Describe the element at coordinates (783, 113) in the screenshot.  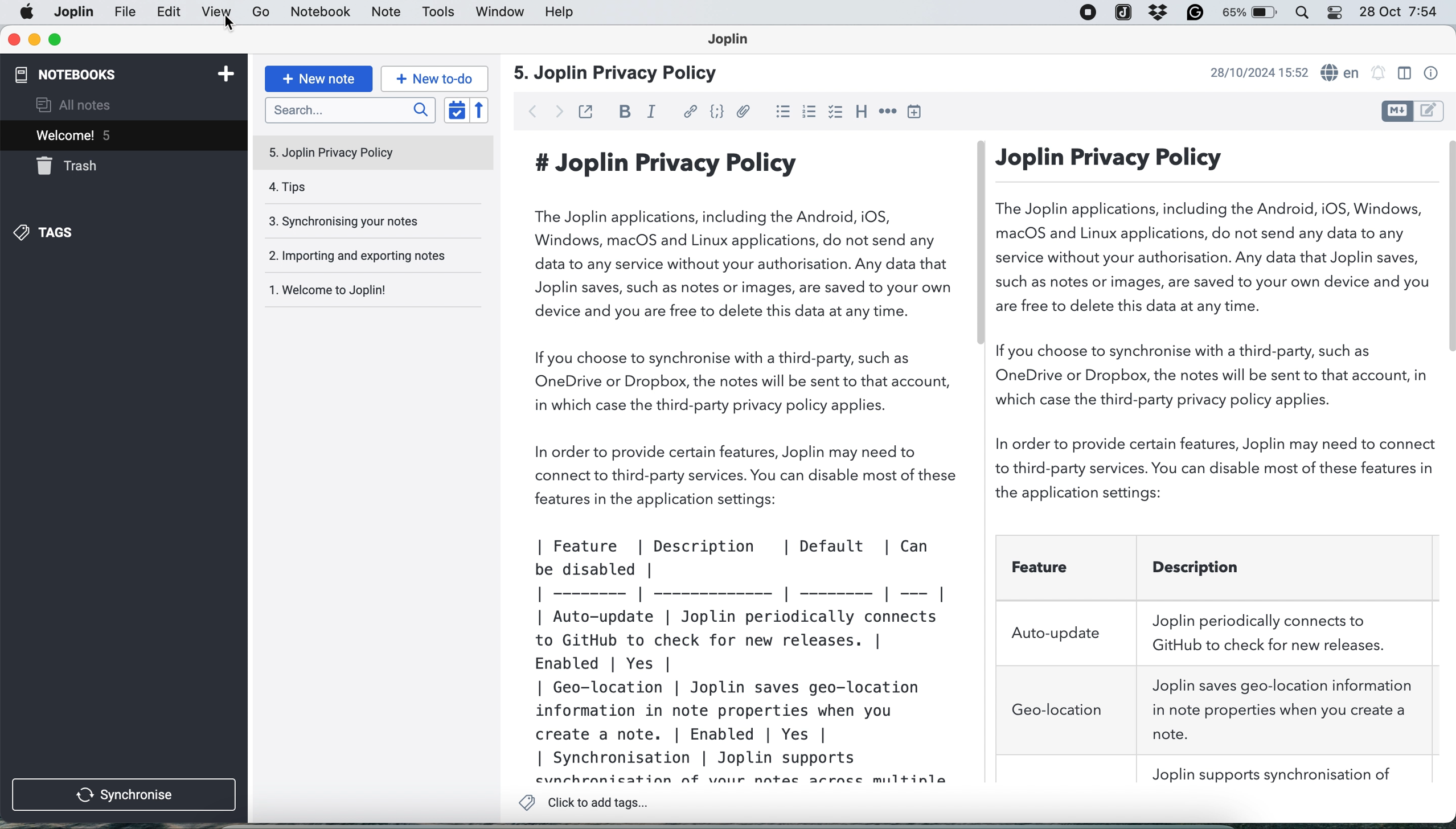
I see `bulleted list` at that location.